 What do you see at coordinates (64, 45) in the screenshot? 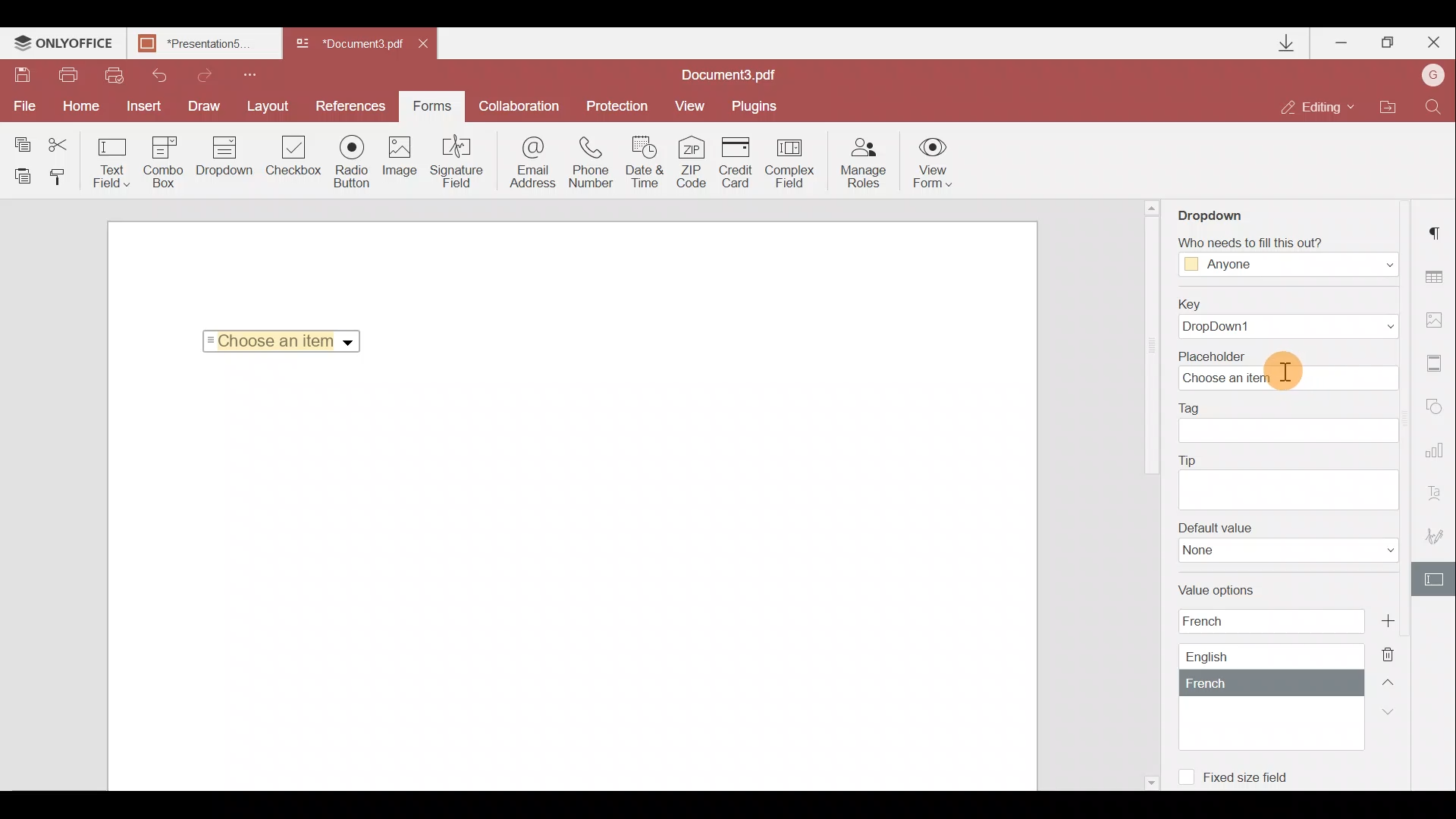
I see `ONLYOFFICE` at bounding box center [64, 45].